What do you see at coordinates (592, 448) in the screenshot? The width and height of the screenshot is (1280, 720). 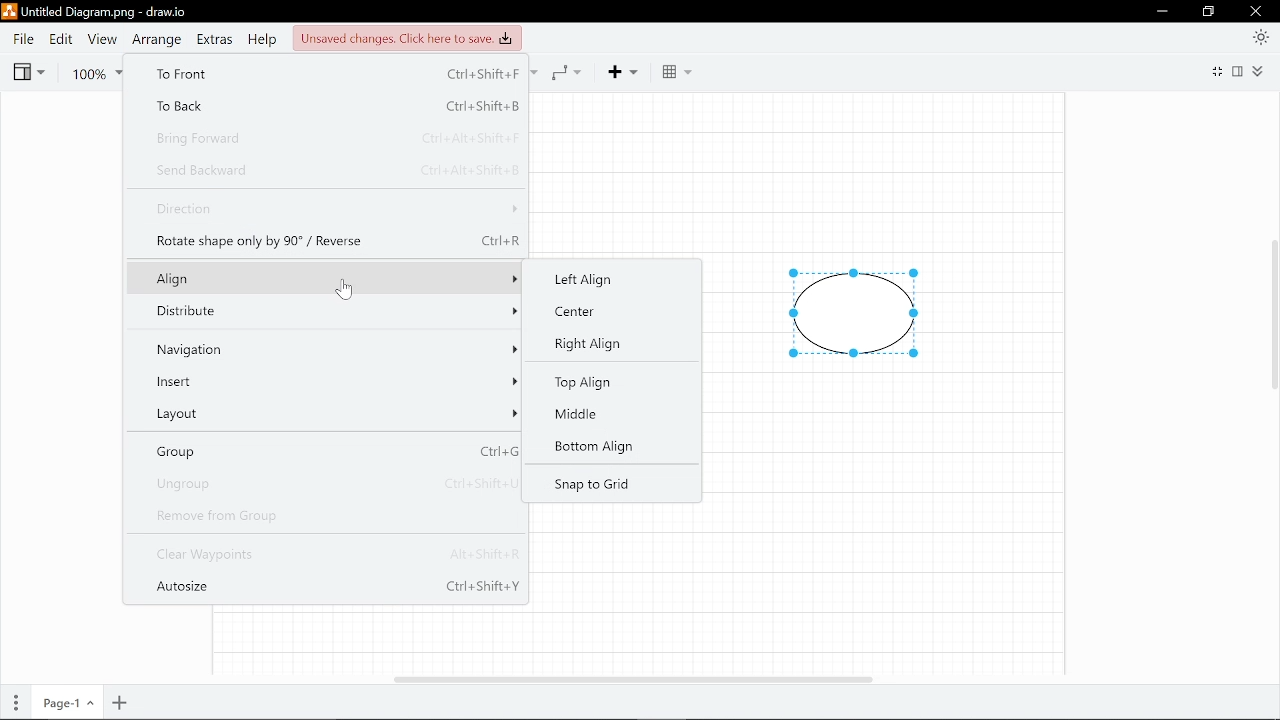 I see `Bottom align` at bounding box center [592, 448].